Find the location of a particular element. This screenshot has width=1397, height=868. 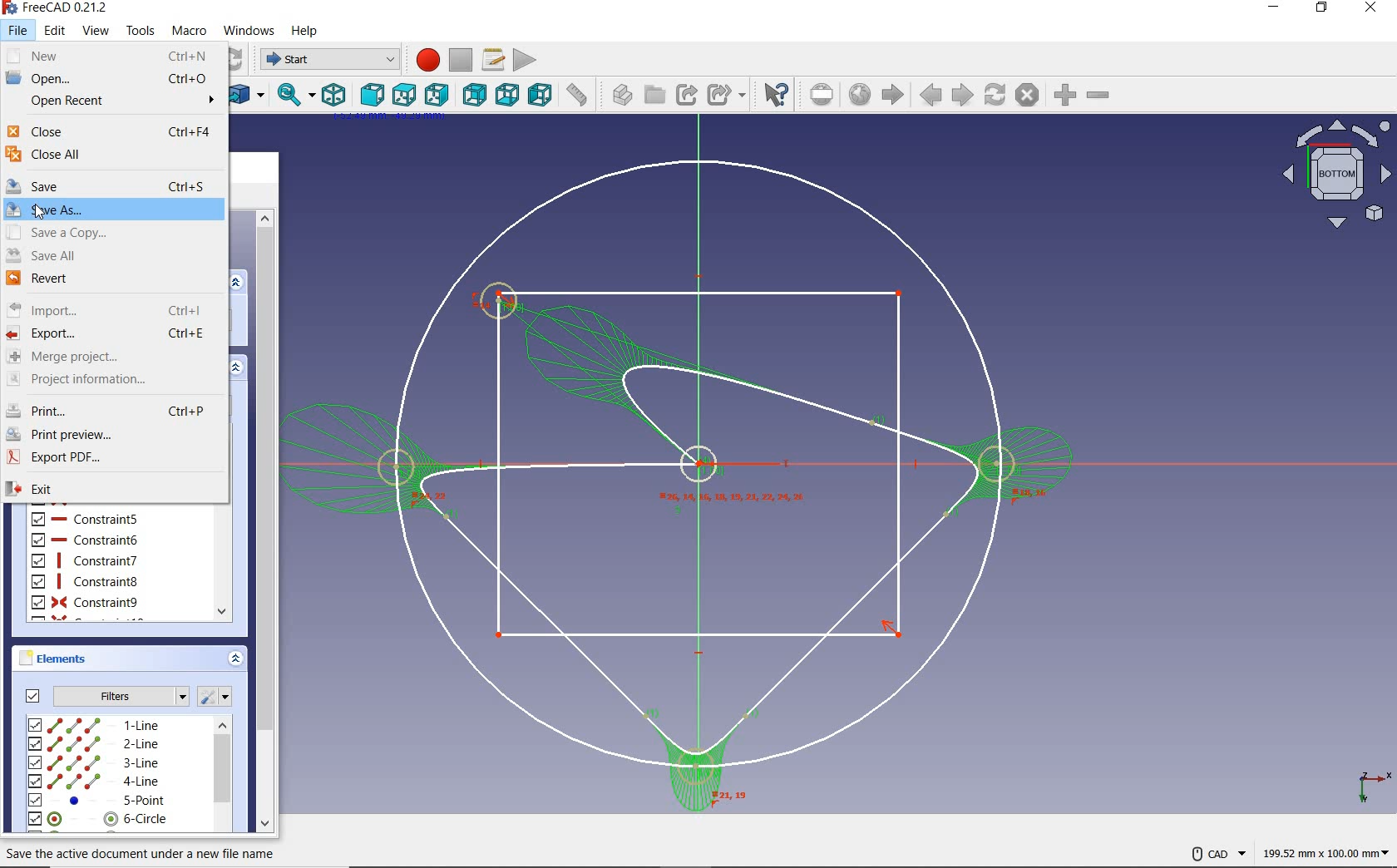

merge project is located at coordinates (110, 358).